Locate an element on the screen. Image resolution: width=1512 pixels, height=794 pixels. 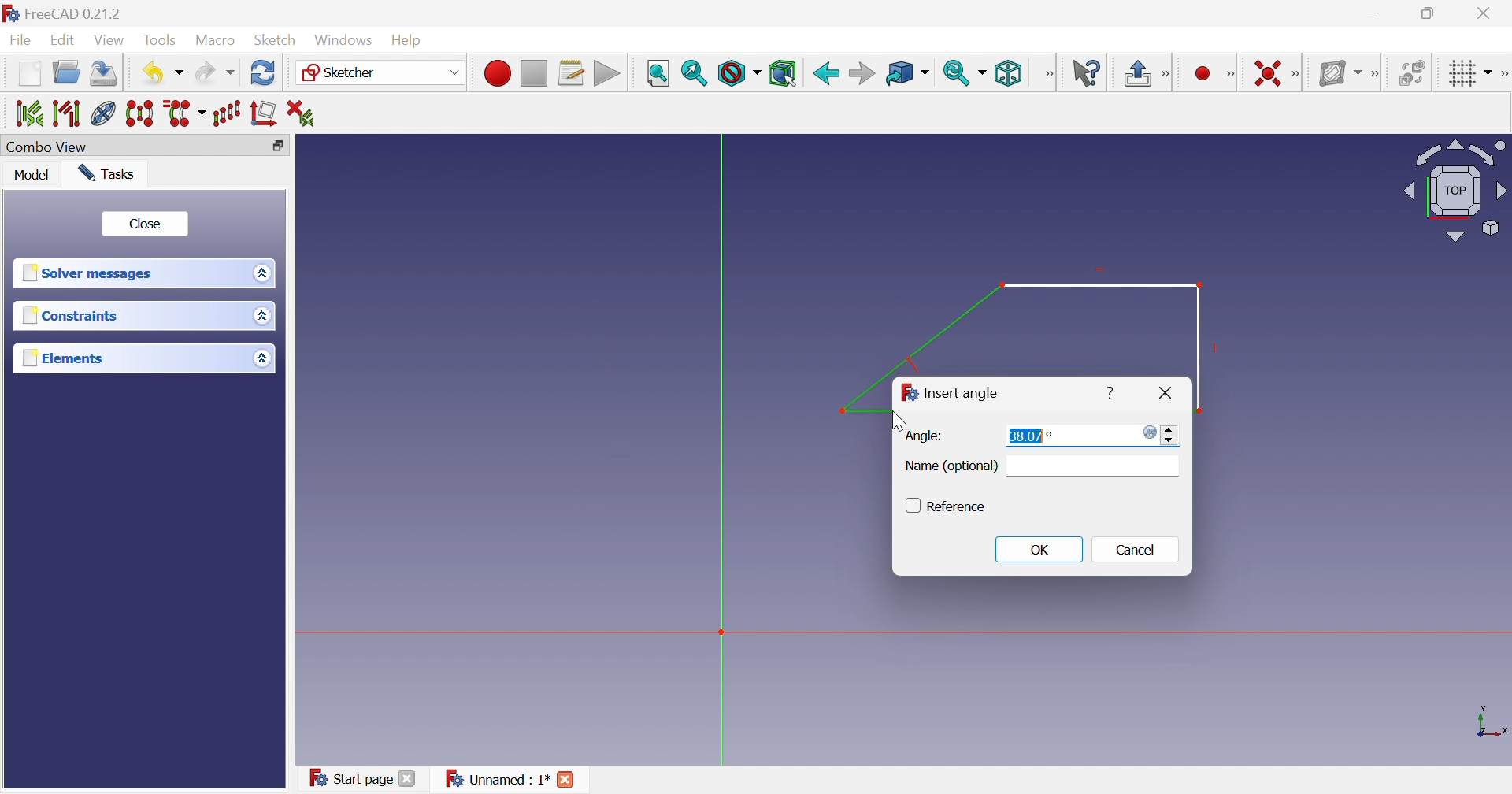
Back is located at coordinates (825, 72).